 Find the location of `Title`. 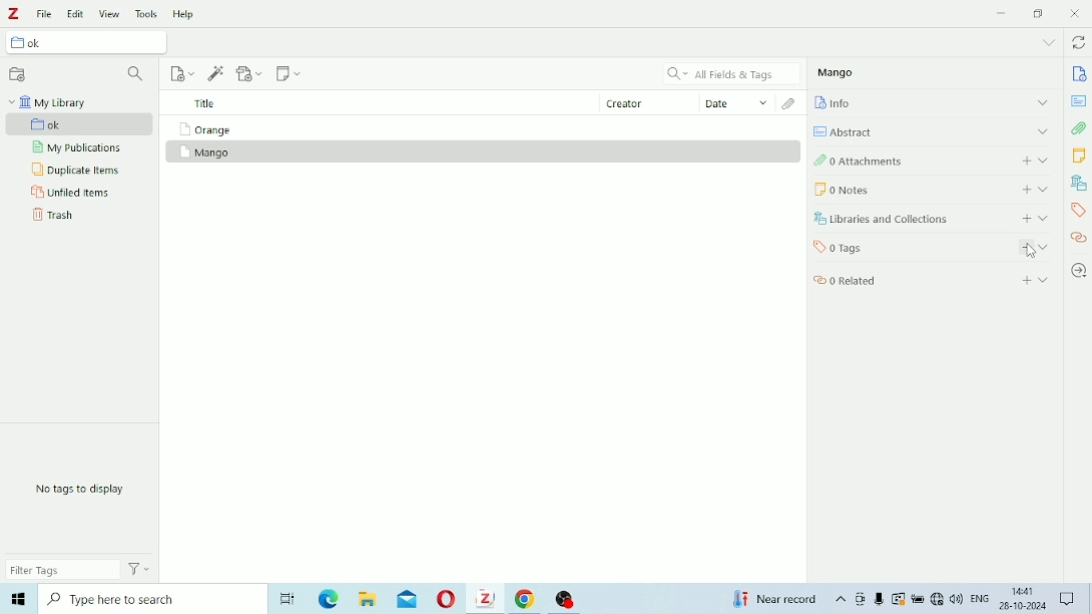

Title is located at coordinates (207, 104).